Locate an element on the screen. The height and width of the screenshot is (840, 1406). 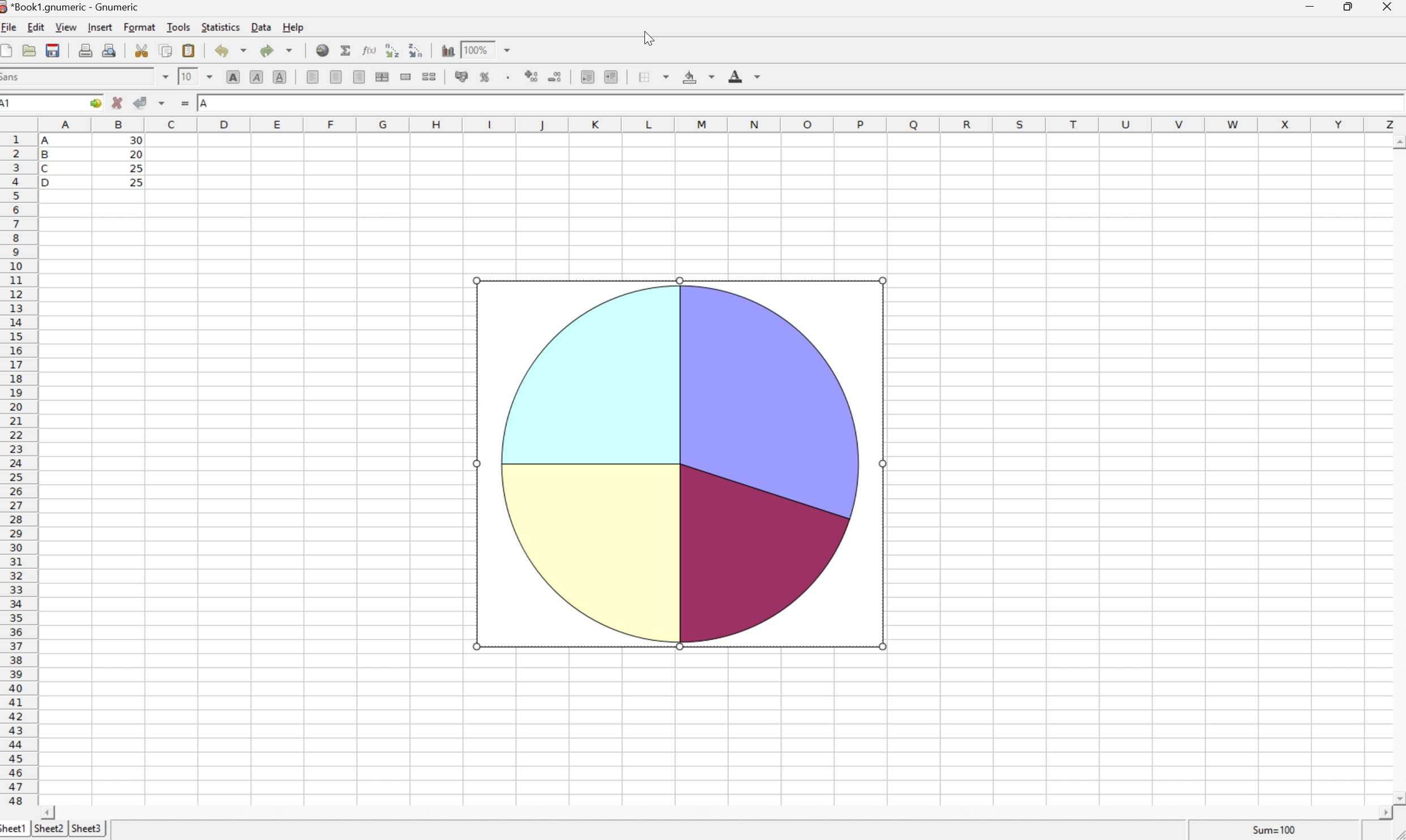
Paste the clipboard is located at coordinates (188, 50).